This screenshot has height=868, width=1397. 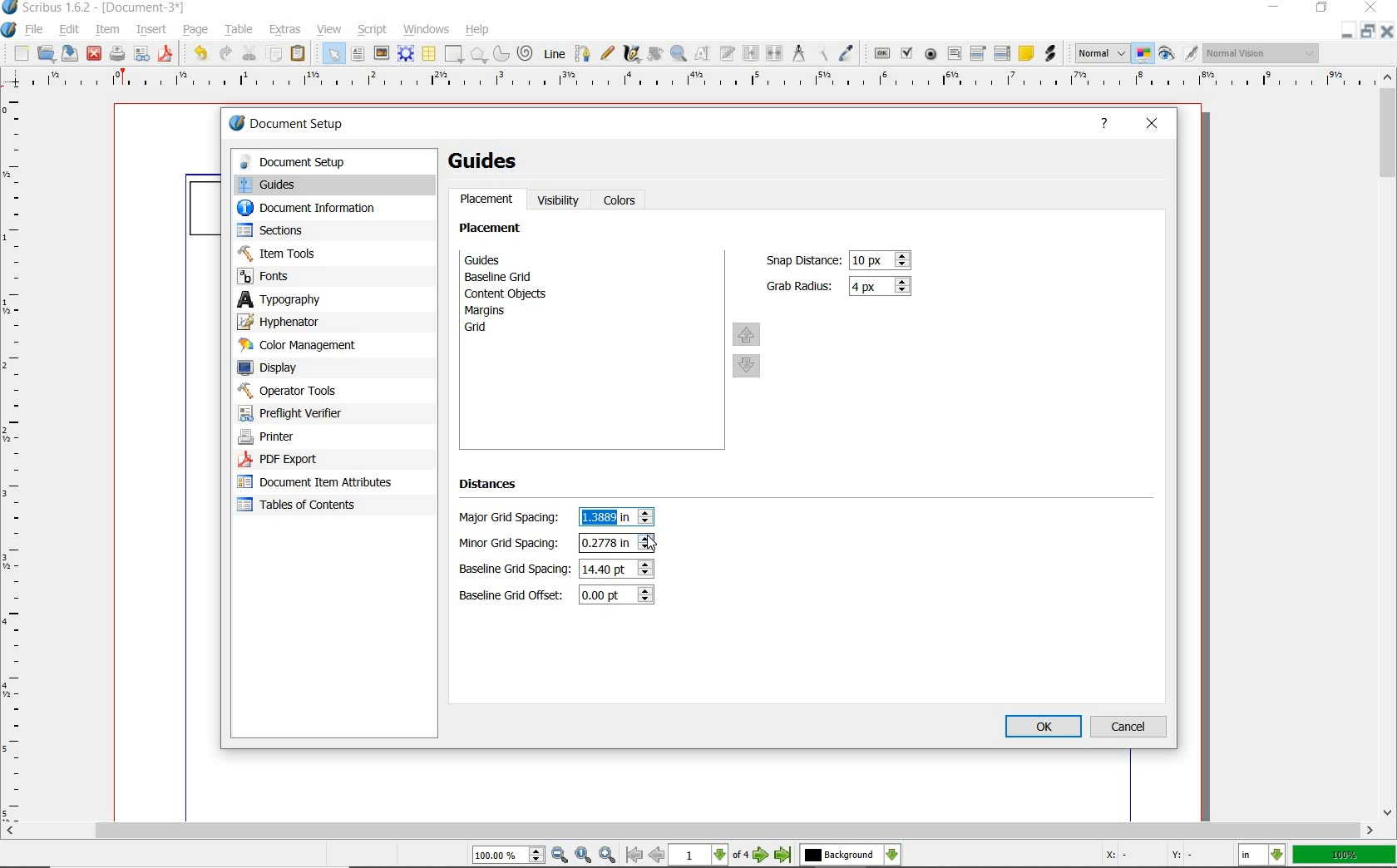 I want to click on grab radius, so click(x=883, y=287).